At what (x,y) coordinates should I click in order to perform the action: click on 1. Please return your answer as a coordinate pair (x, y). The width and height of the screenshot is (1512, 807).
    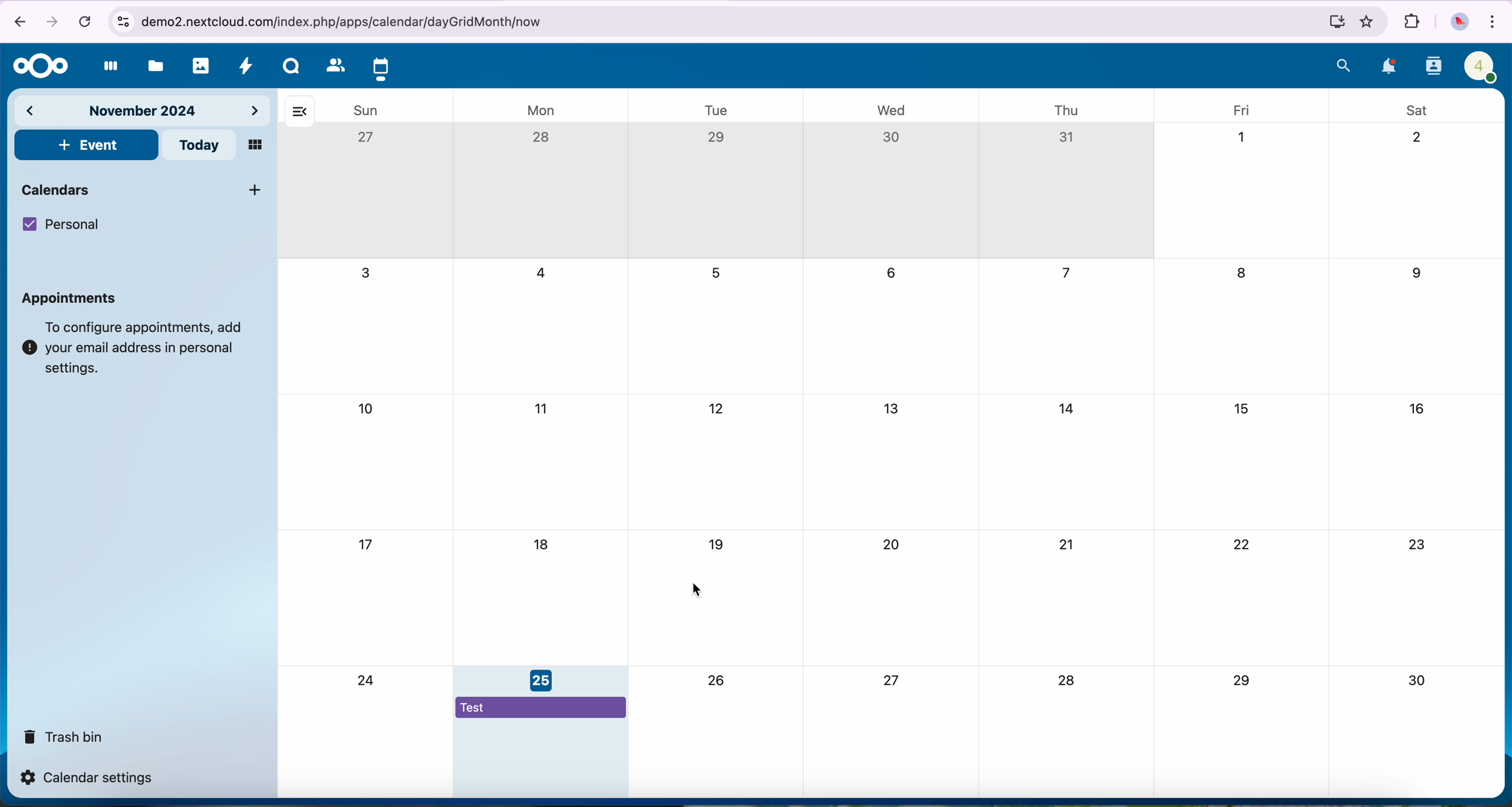
    Looking at the image, I should click on (1241, 137).